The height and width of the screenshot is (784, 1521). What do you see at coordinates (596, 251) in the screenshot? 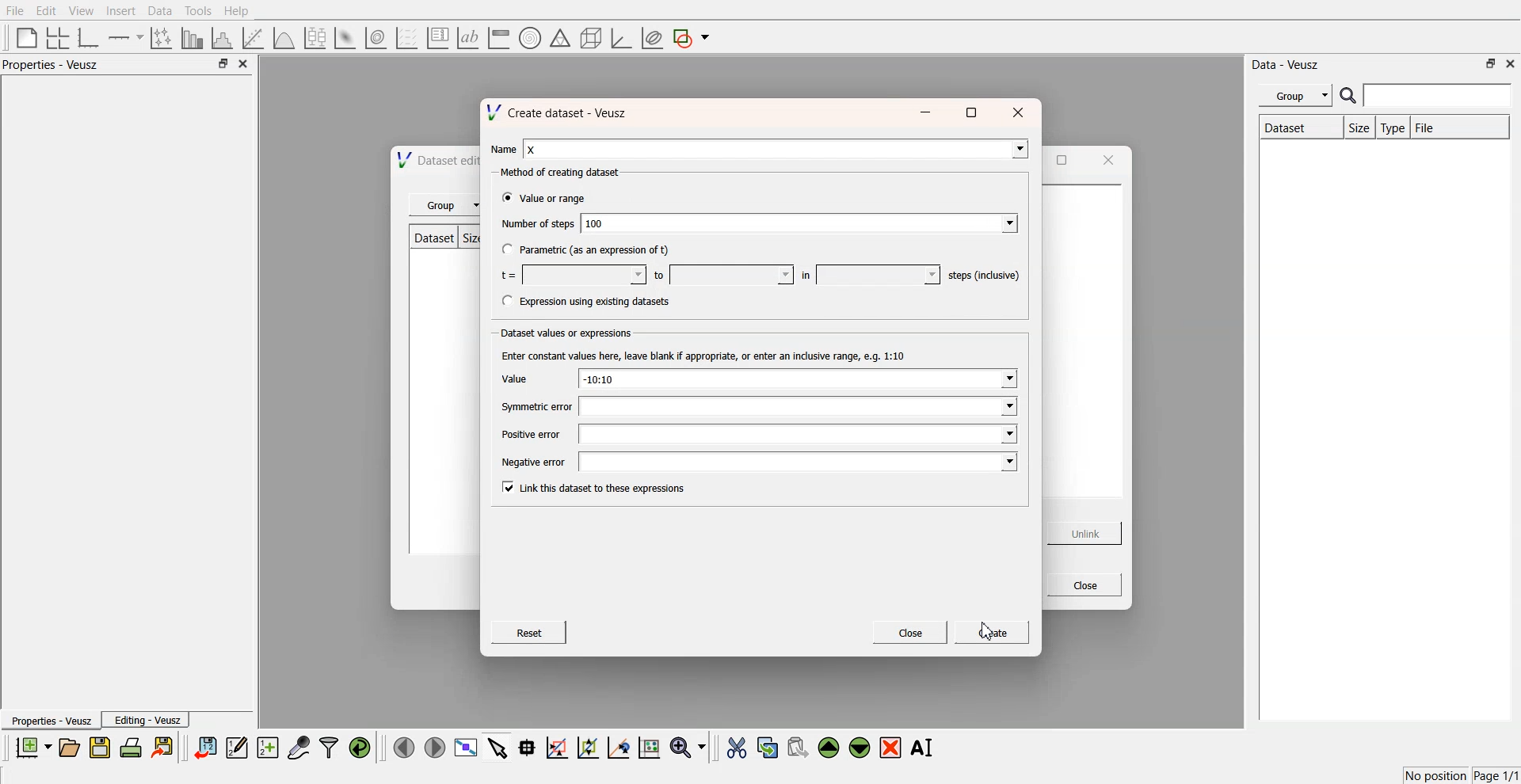
I see `Parametric (as an expression of t)` at bounding box center [596, 251].